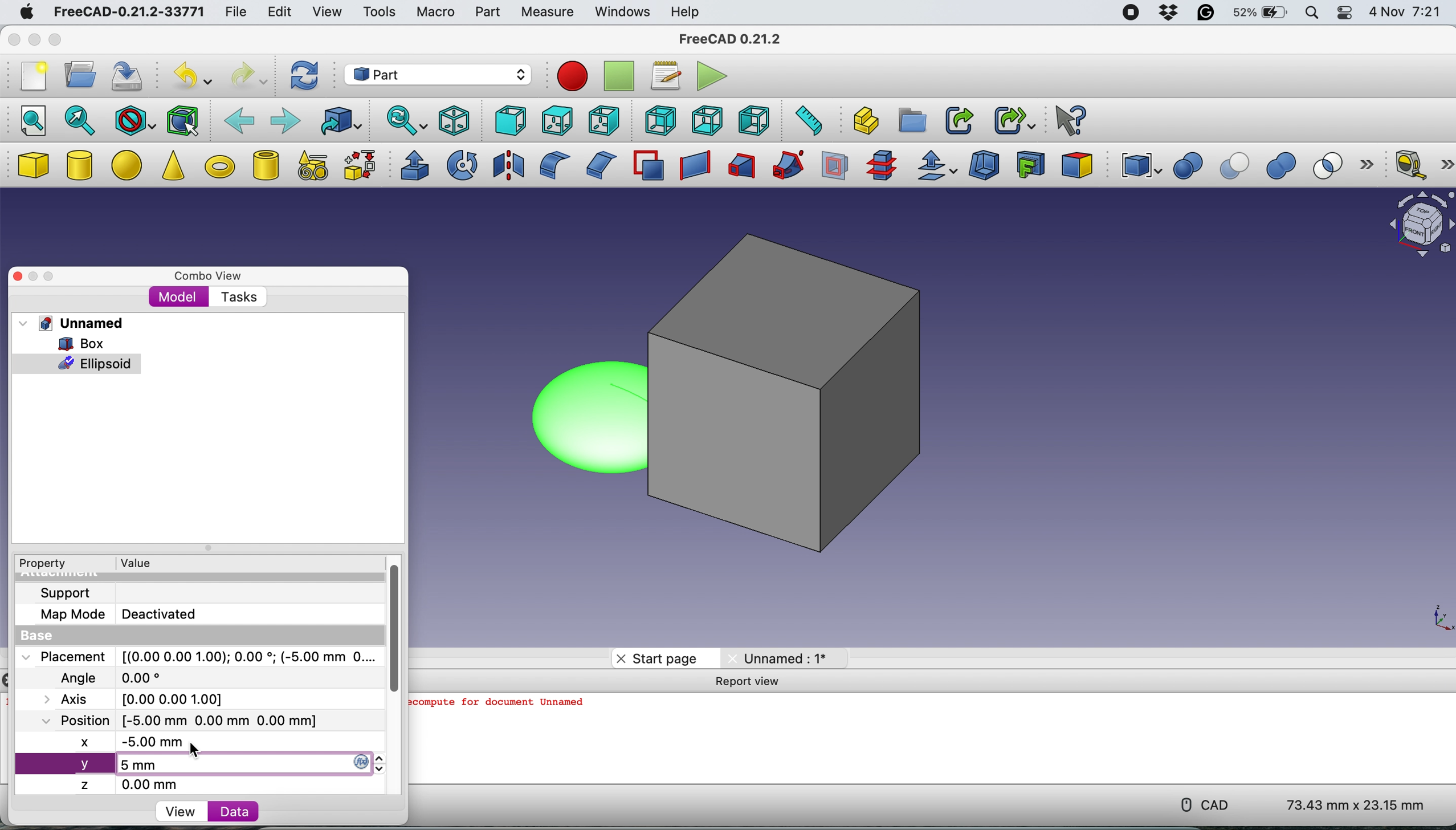 The height and width of the screenshot is (830, 1456). What do you see at coordinates (779, 658) in the screenshot?
I see `Unnamed: 1*` at bounding box center [779, 658].